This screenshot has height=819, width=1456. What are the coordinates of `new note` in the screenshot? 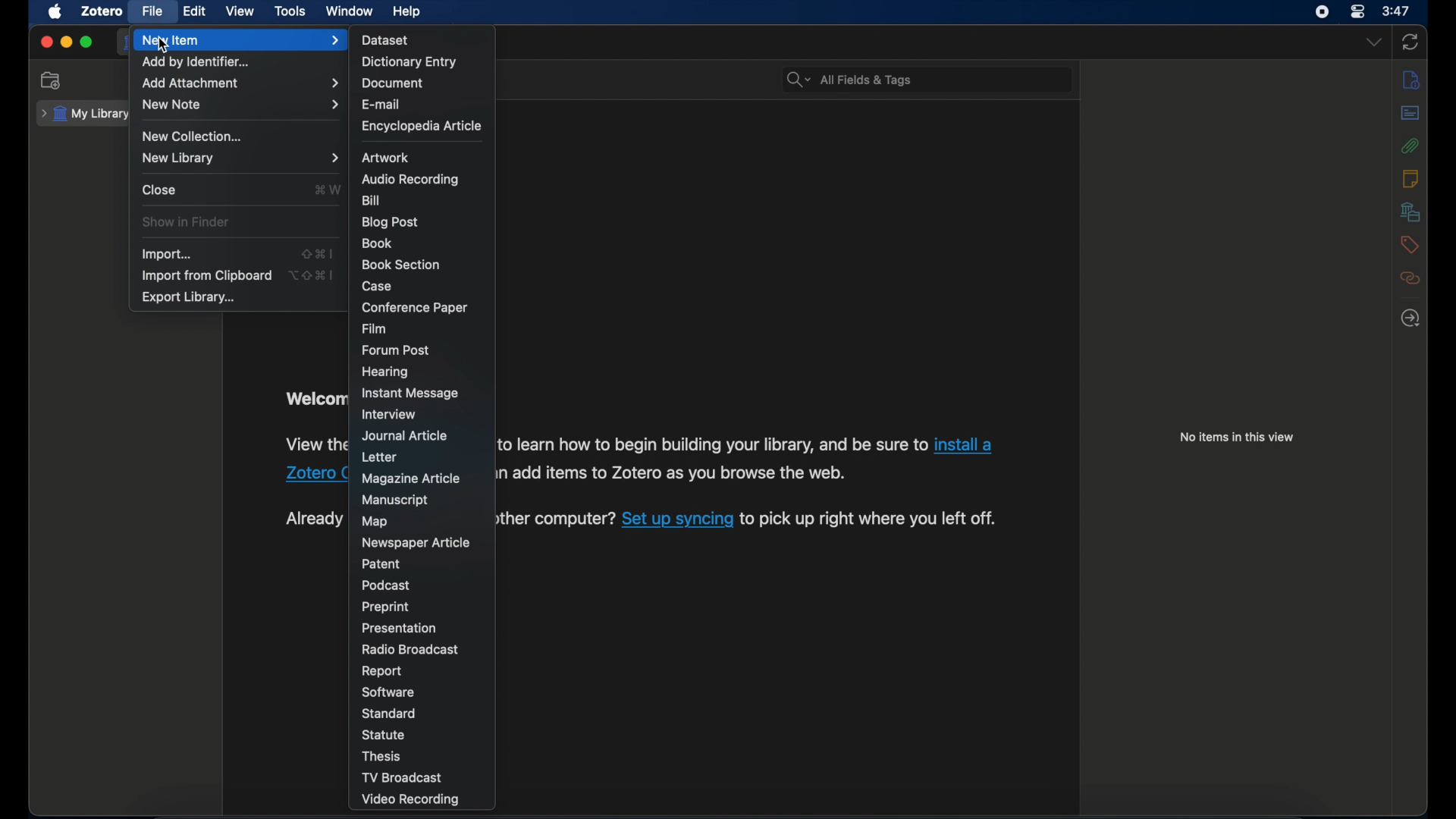 It's located at (242, 105).